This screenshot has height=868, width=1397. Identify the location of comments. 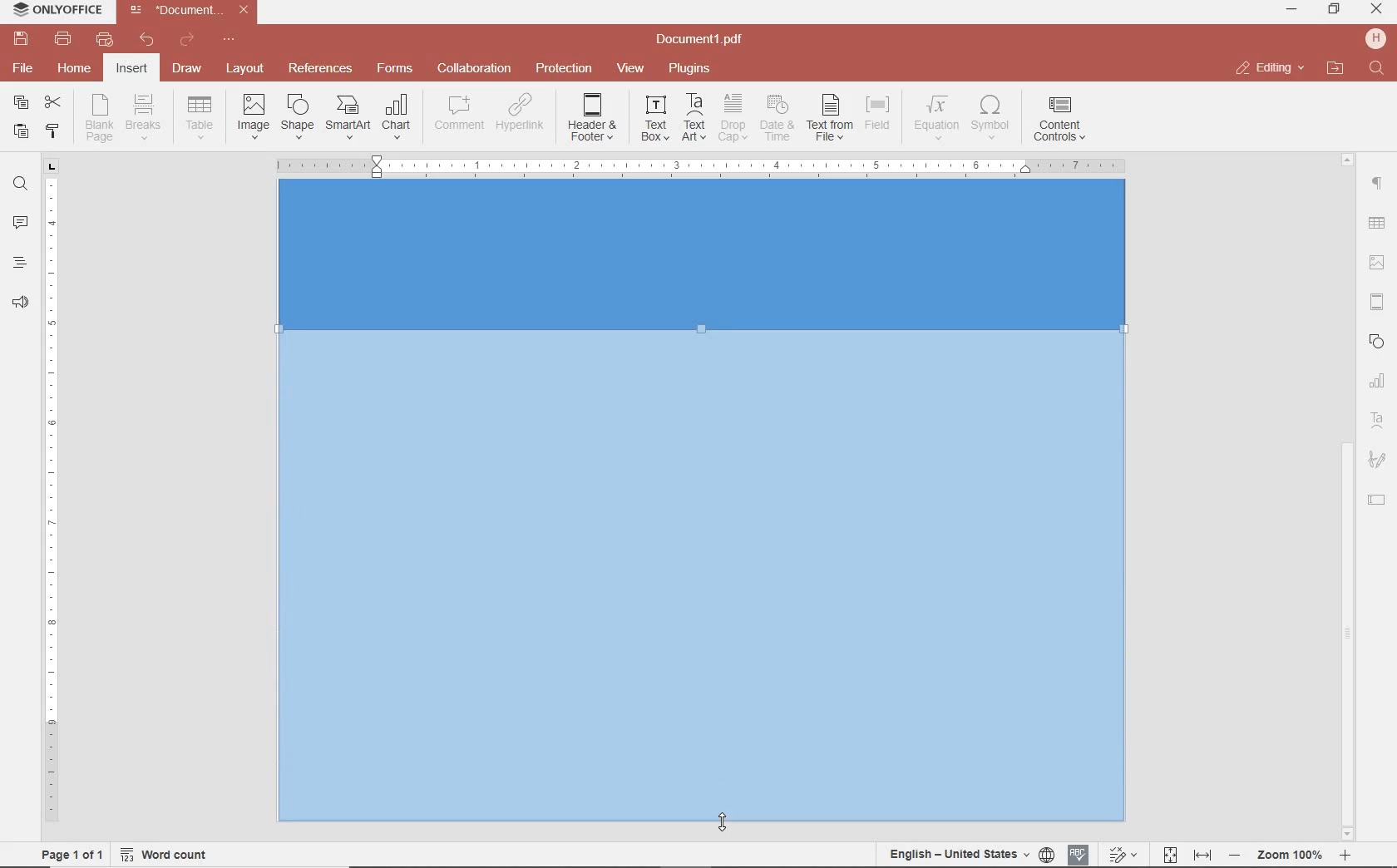
(20, 224).